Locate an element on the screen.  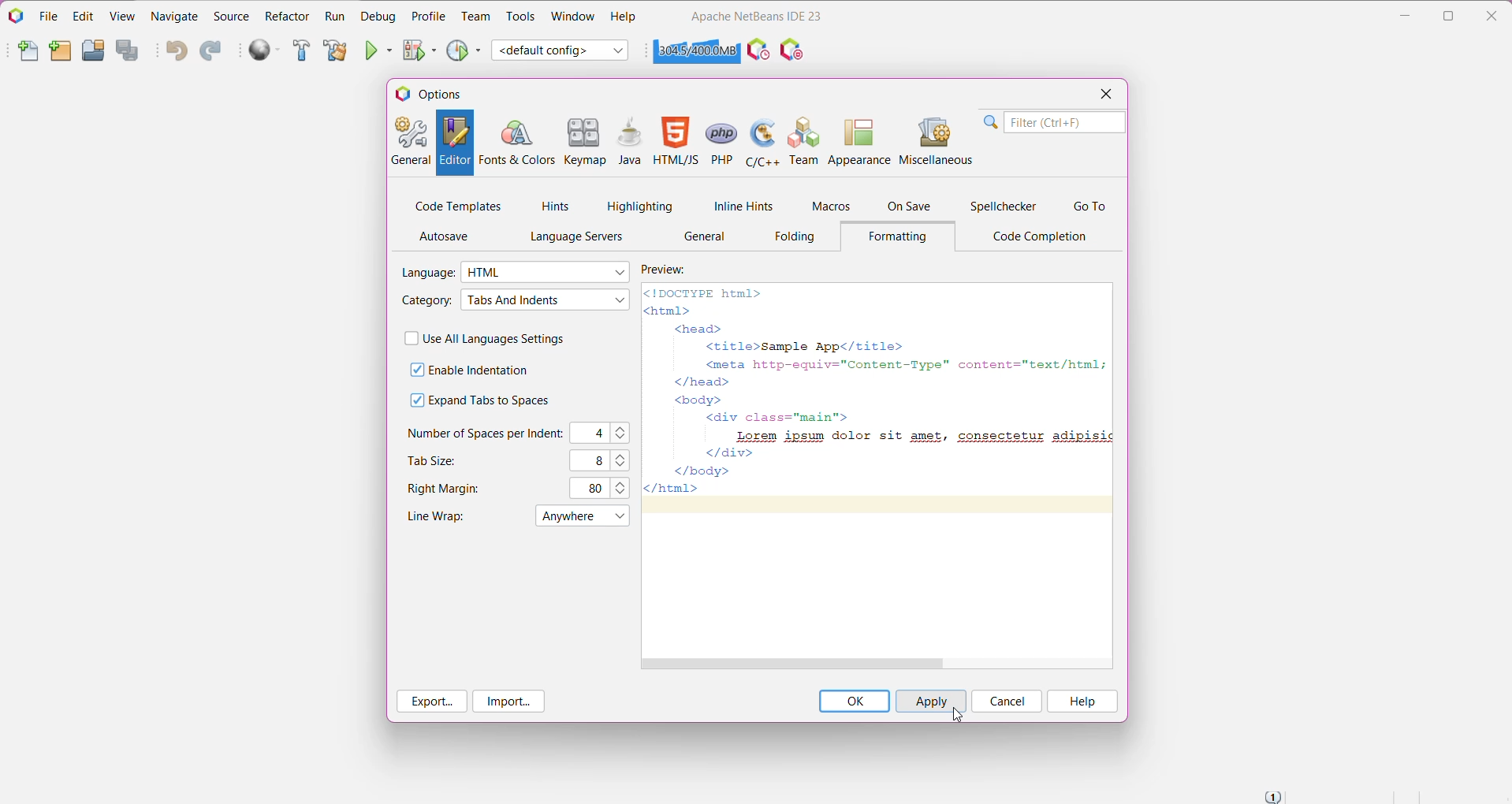
check box is located at coordinates (409, 400).